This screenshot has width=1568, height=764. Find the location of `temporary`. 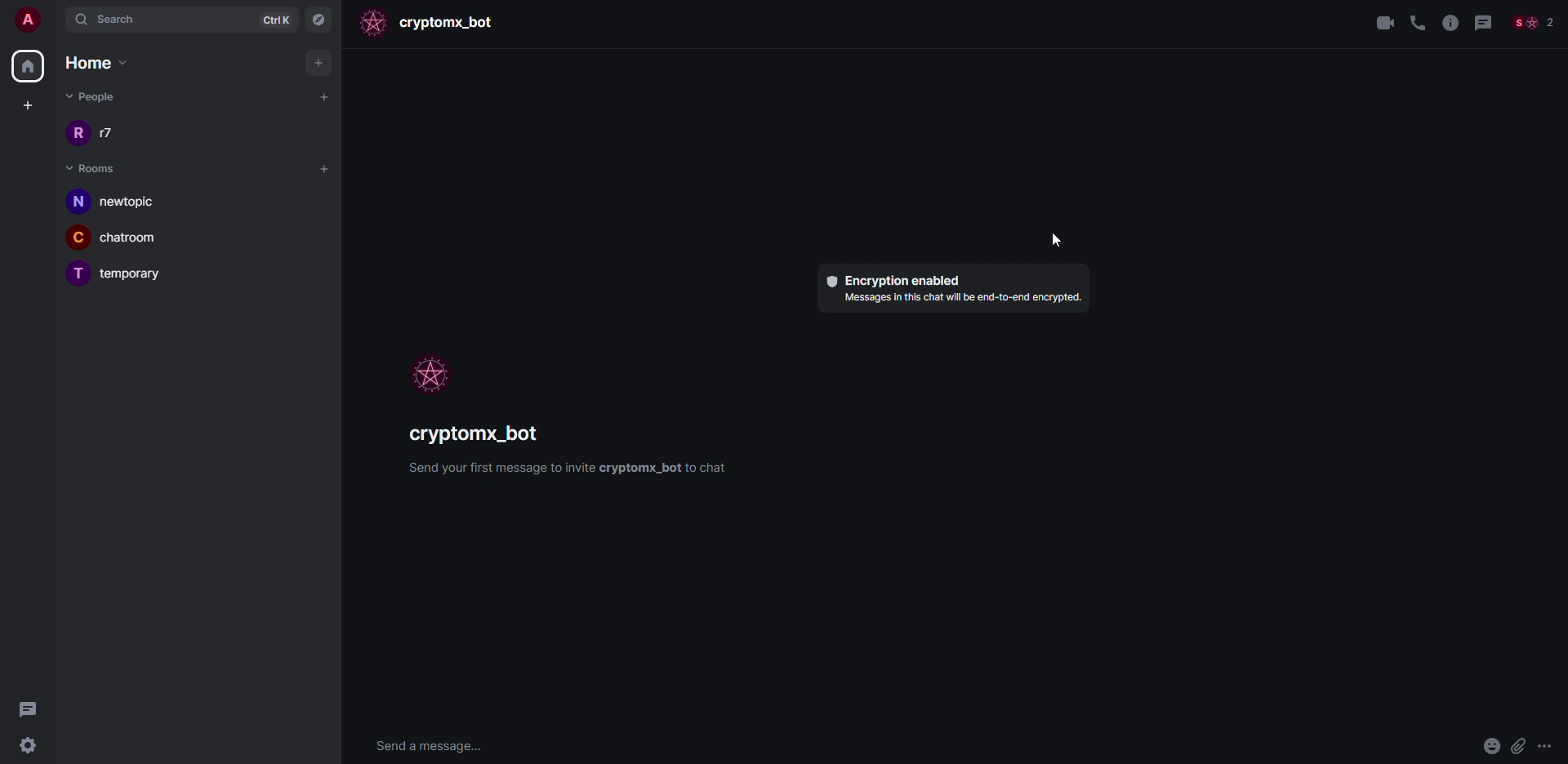

temporary is located at coordinates (139, 273).